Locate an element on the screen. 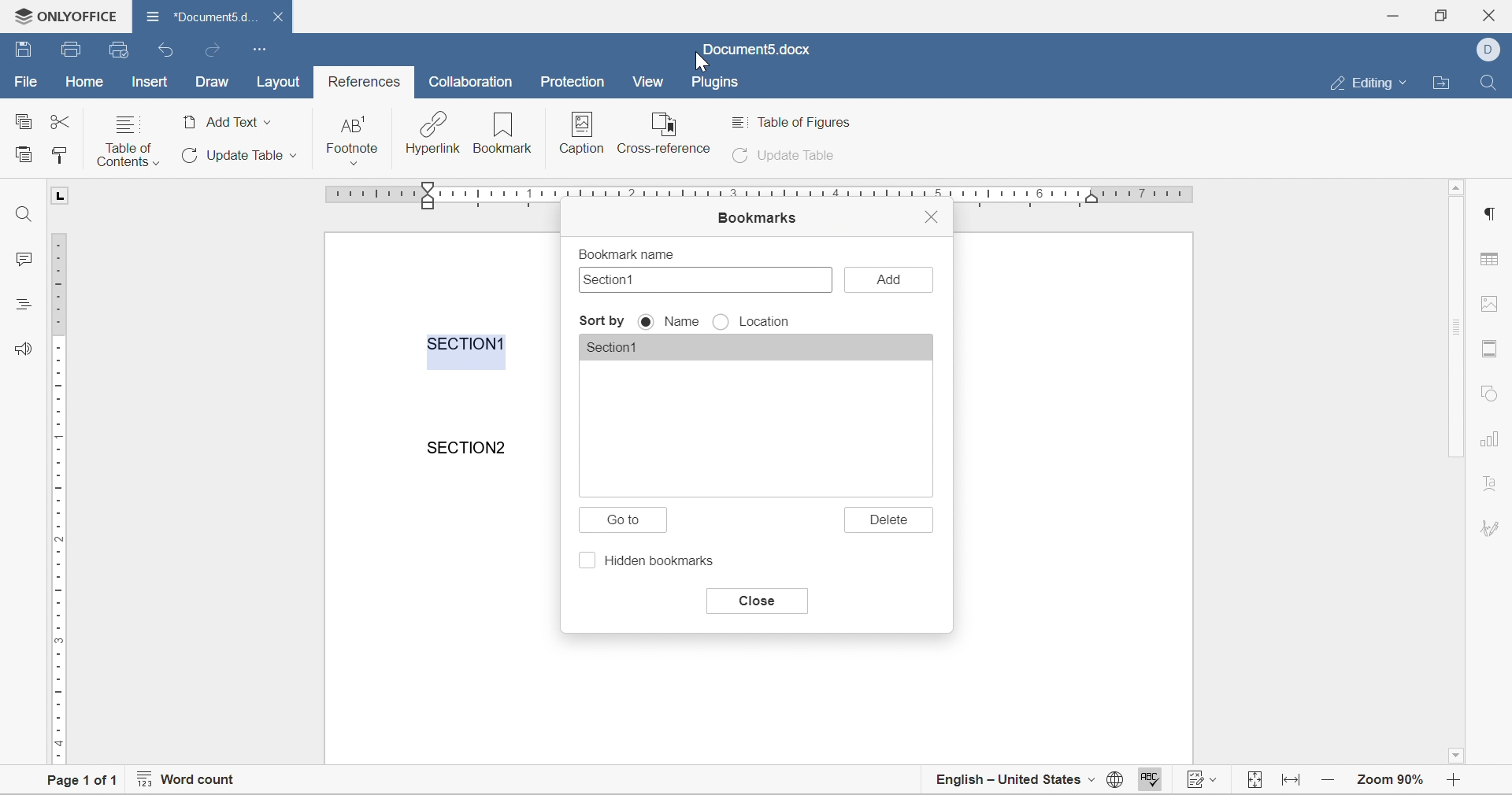 The image size is (1512, 795). text art settings is located at coordinates (1491, 483).